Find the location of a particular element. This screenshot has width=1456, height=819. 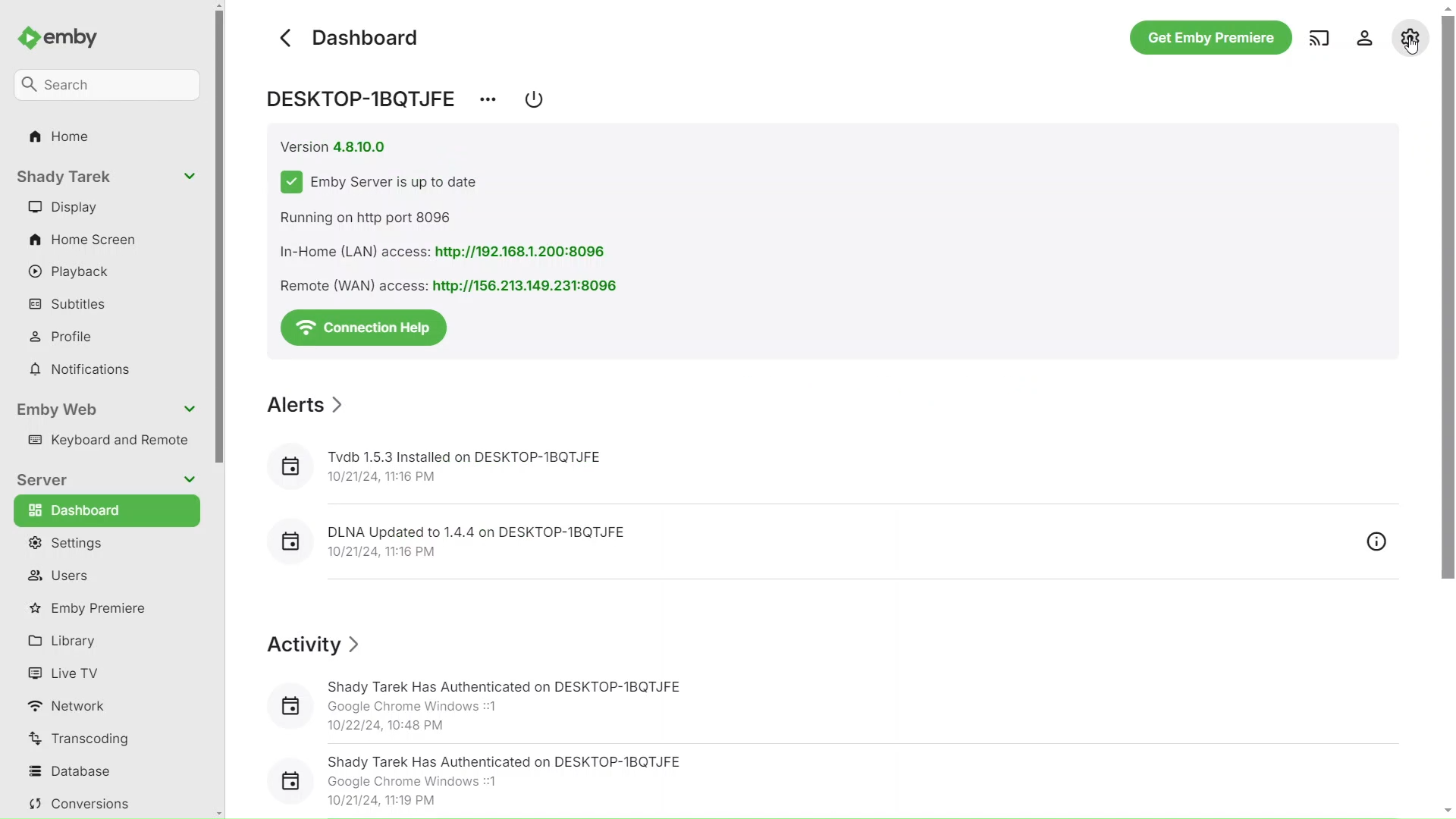

Live TV is located at coordinates (64, 673).